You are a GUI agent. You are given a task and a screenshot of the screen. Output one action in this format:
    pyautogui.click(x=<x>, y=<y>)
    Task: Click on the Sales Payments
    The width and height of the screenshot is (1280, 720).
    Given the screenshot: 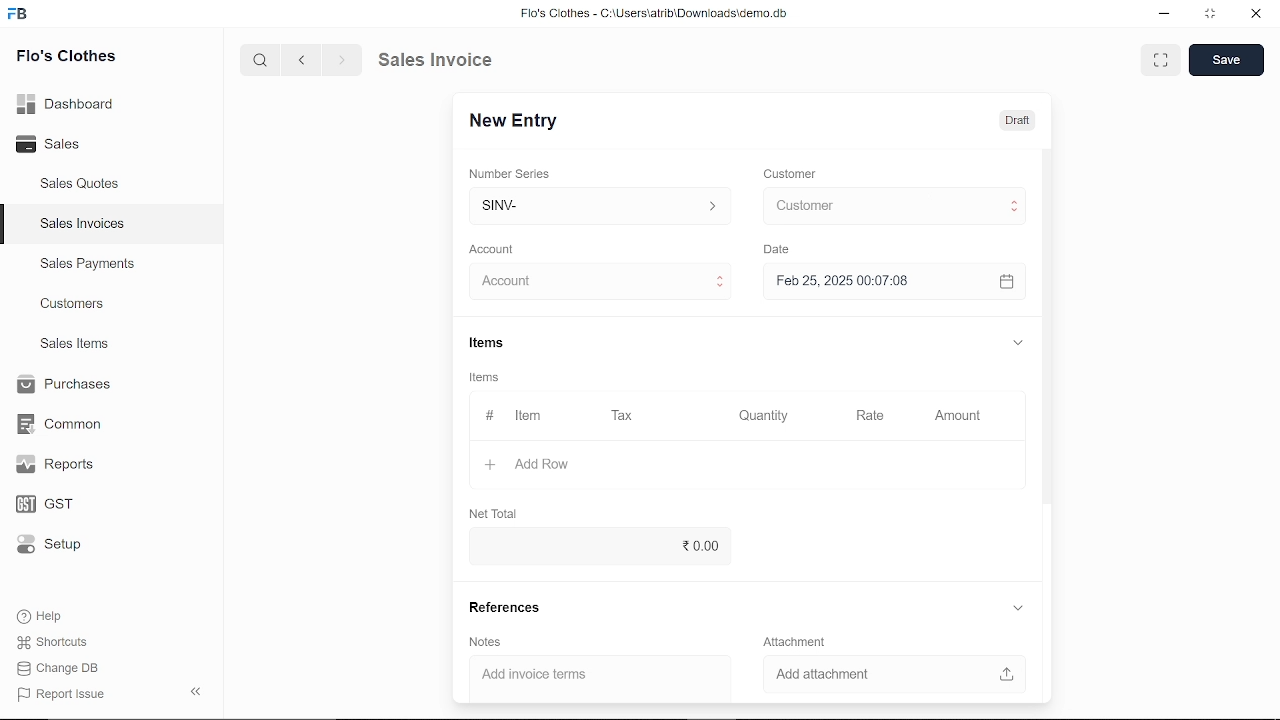 What is the action you would take?
    pyautogui.click(x=87, y=264)
    